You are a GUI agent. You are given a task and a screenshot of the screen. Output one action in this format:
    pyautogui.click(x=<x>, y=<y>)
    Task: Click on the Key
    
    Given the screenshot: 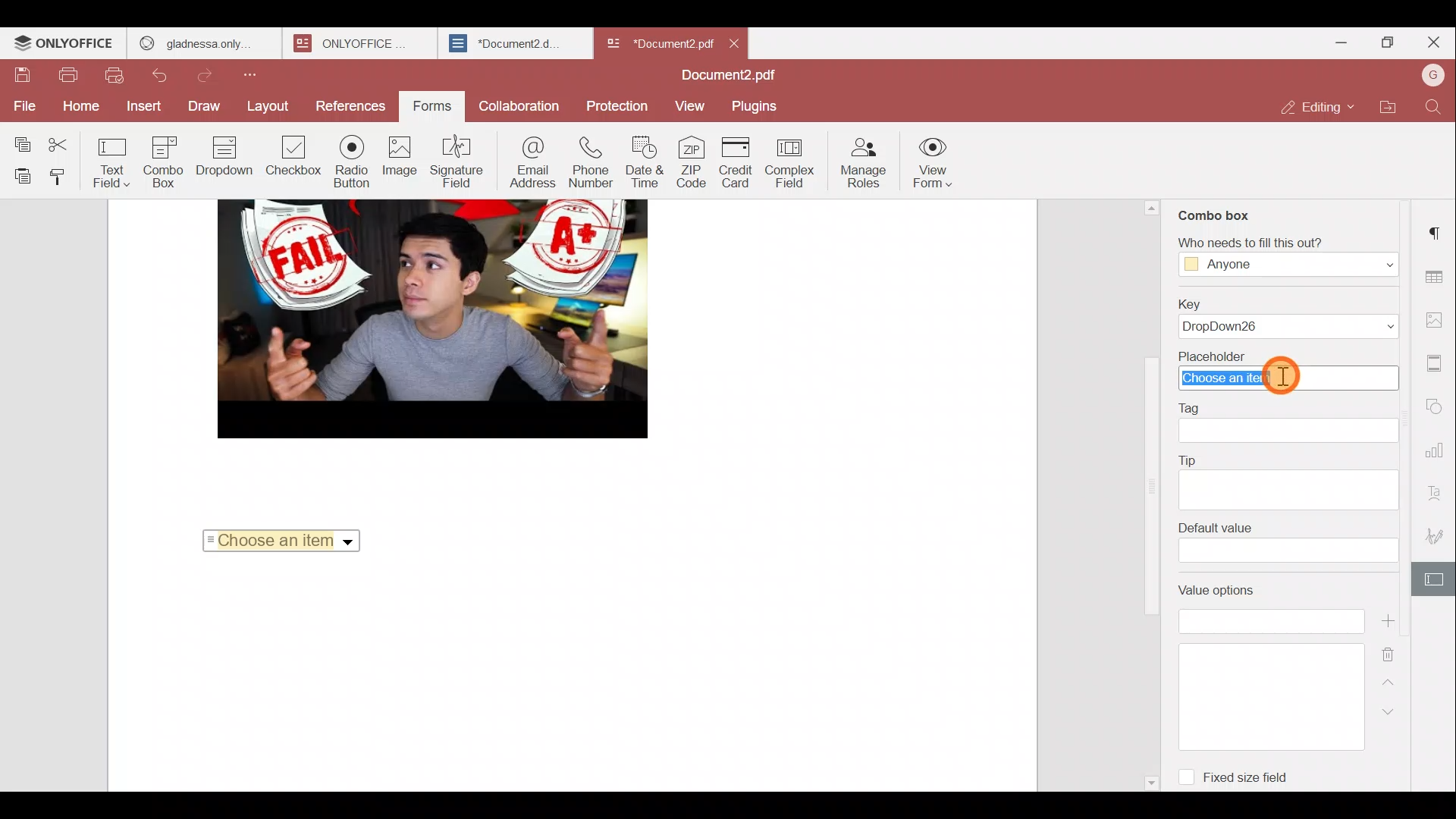 What is the action you would take?
    pyautogui.click(x=1288, y=316)
    